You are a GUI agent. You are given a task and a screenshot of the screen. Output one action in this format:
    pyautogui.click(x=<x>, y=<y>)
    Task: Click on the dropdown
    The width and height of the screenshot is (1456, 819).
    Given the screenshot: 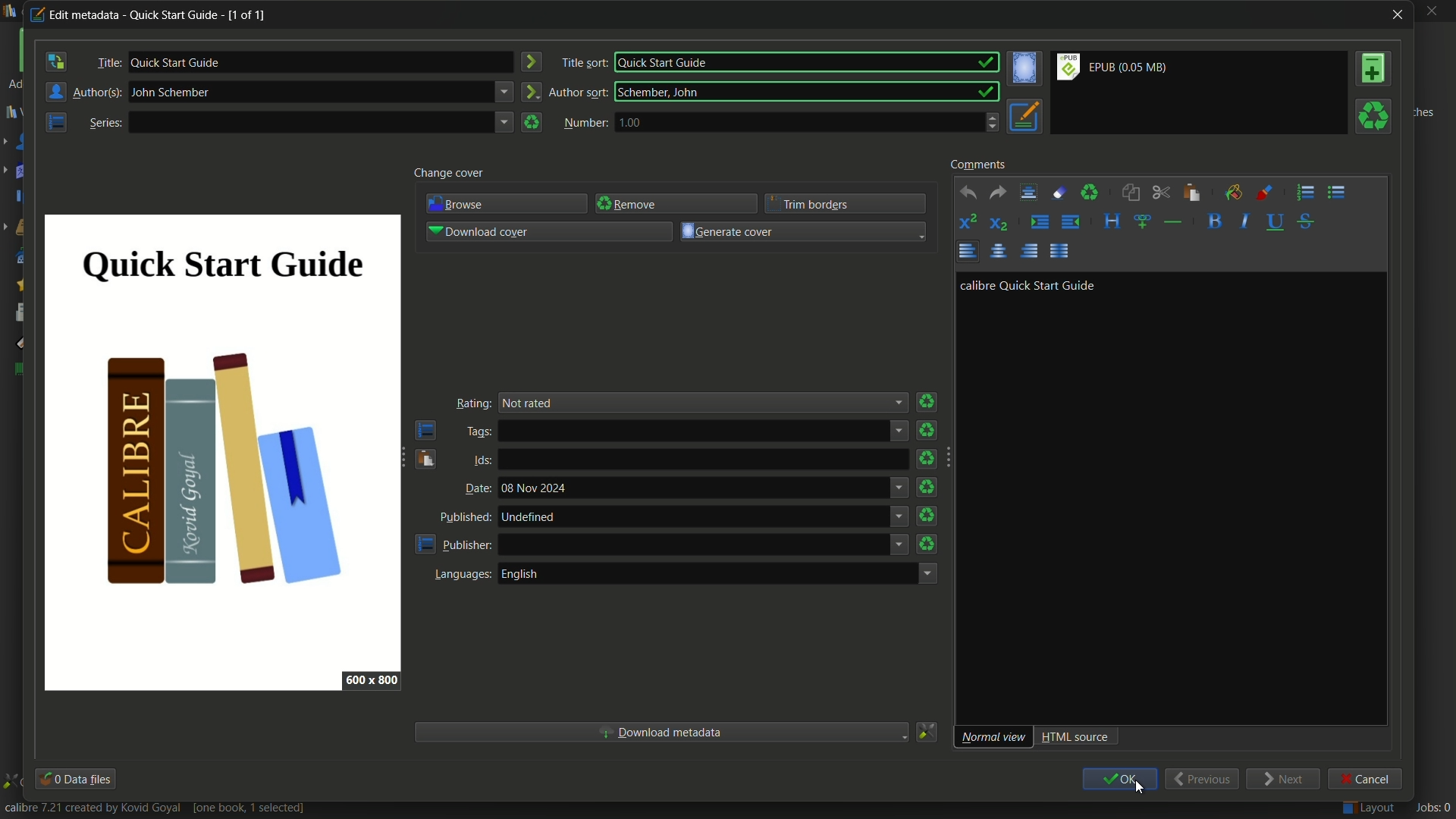 What is the action you would take?
    pyautogui.click(x=927, y=576)
    